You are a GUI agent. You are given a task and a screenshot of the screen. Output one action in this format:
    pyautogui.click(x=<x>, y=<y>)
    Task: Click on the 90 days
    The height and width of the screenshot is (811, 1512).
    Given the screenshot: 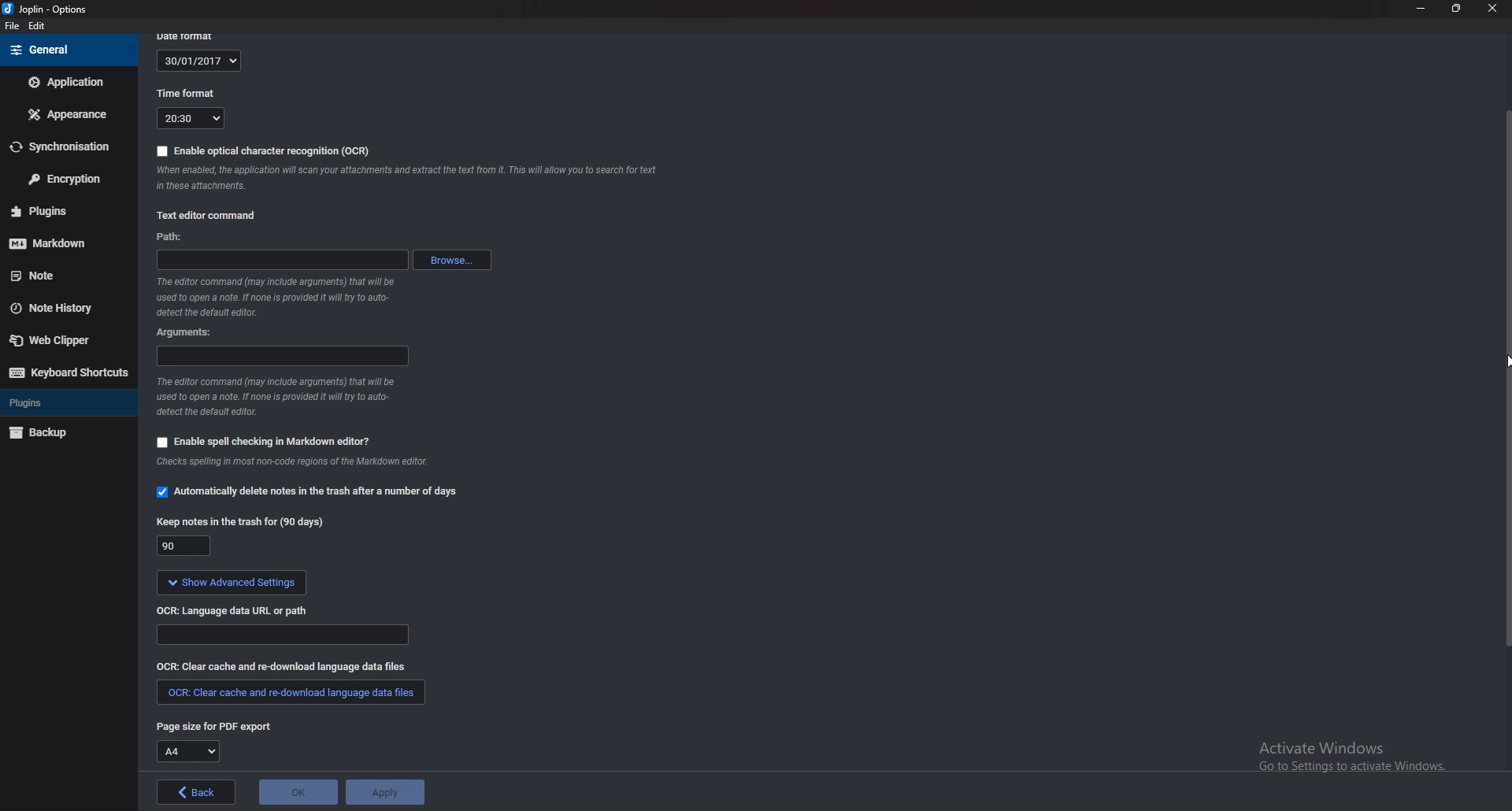 What is the action you would take?
    pyautogui.click(x=181, y=546)
    